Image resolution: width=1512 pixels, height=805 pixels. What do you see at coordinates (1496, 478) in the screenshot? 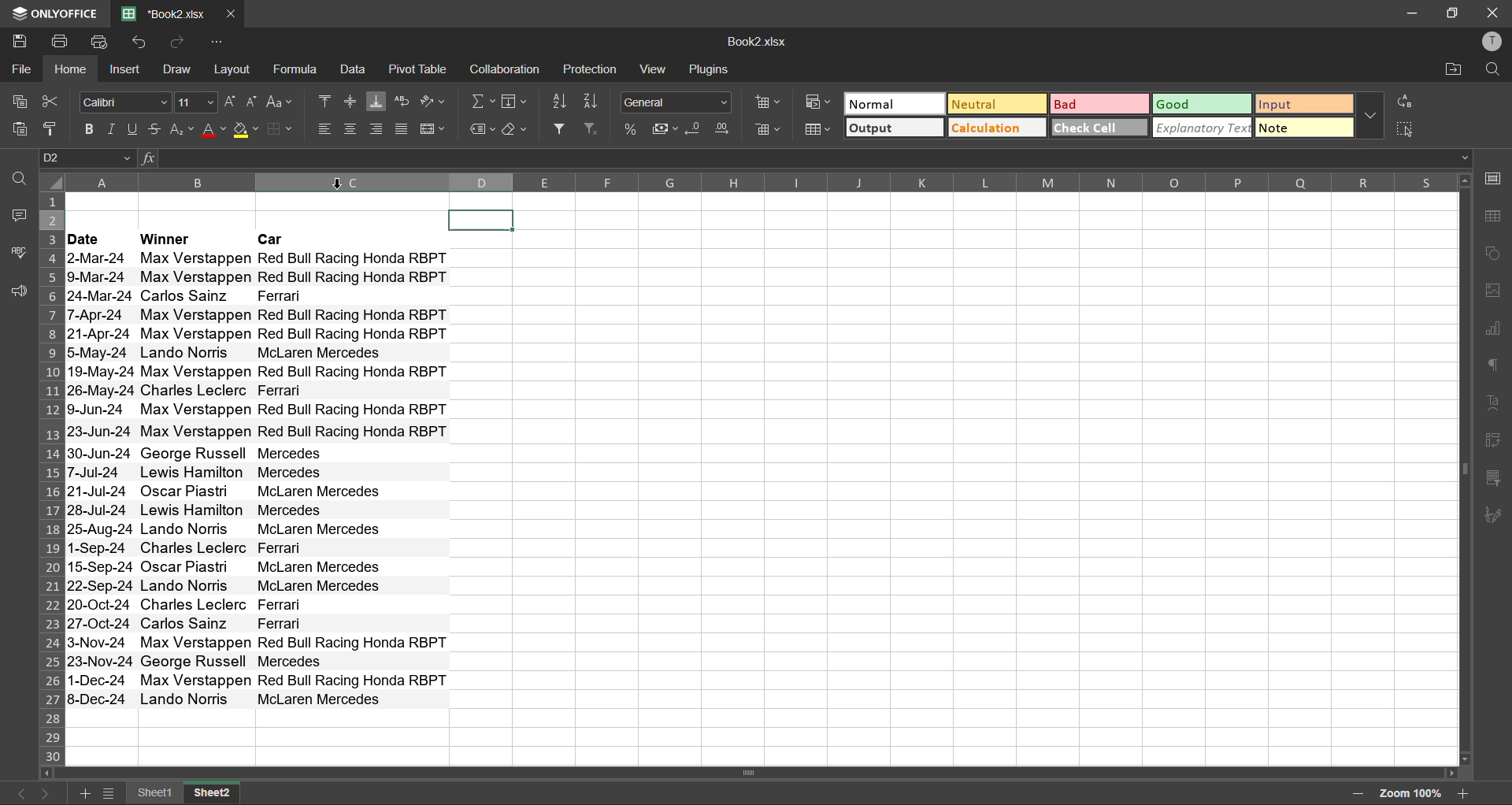
I see `slicer` at bounding box center [1496, 478].